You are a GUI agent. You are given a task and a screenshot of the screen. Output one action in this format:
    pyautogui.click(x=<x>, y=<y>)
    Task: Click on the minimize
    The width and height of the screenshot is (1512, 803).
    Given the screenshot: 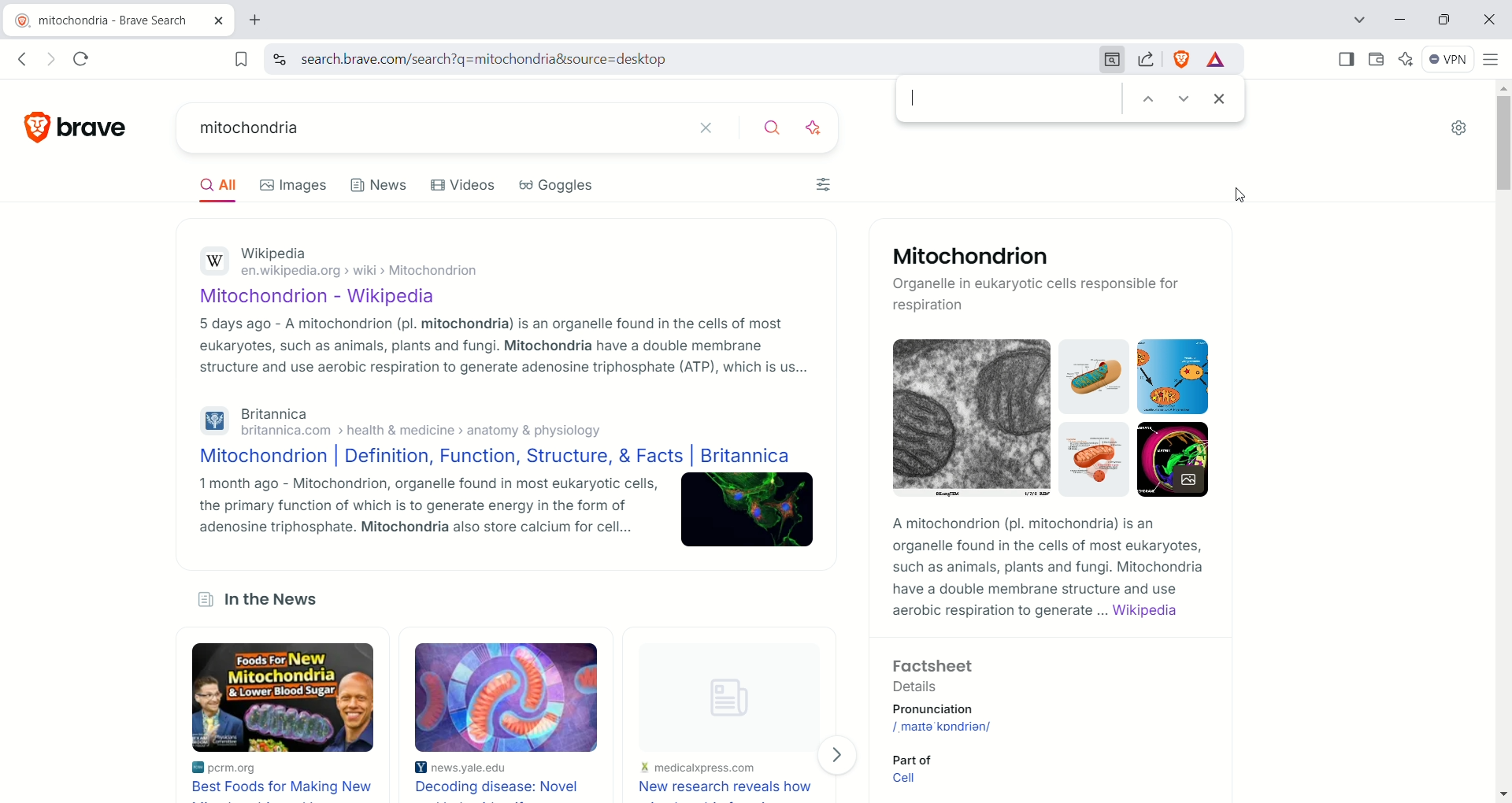 What is the action you would take?
    pyautogui.click(x=1400, y=20)
    